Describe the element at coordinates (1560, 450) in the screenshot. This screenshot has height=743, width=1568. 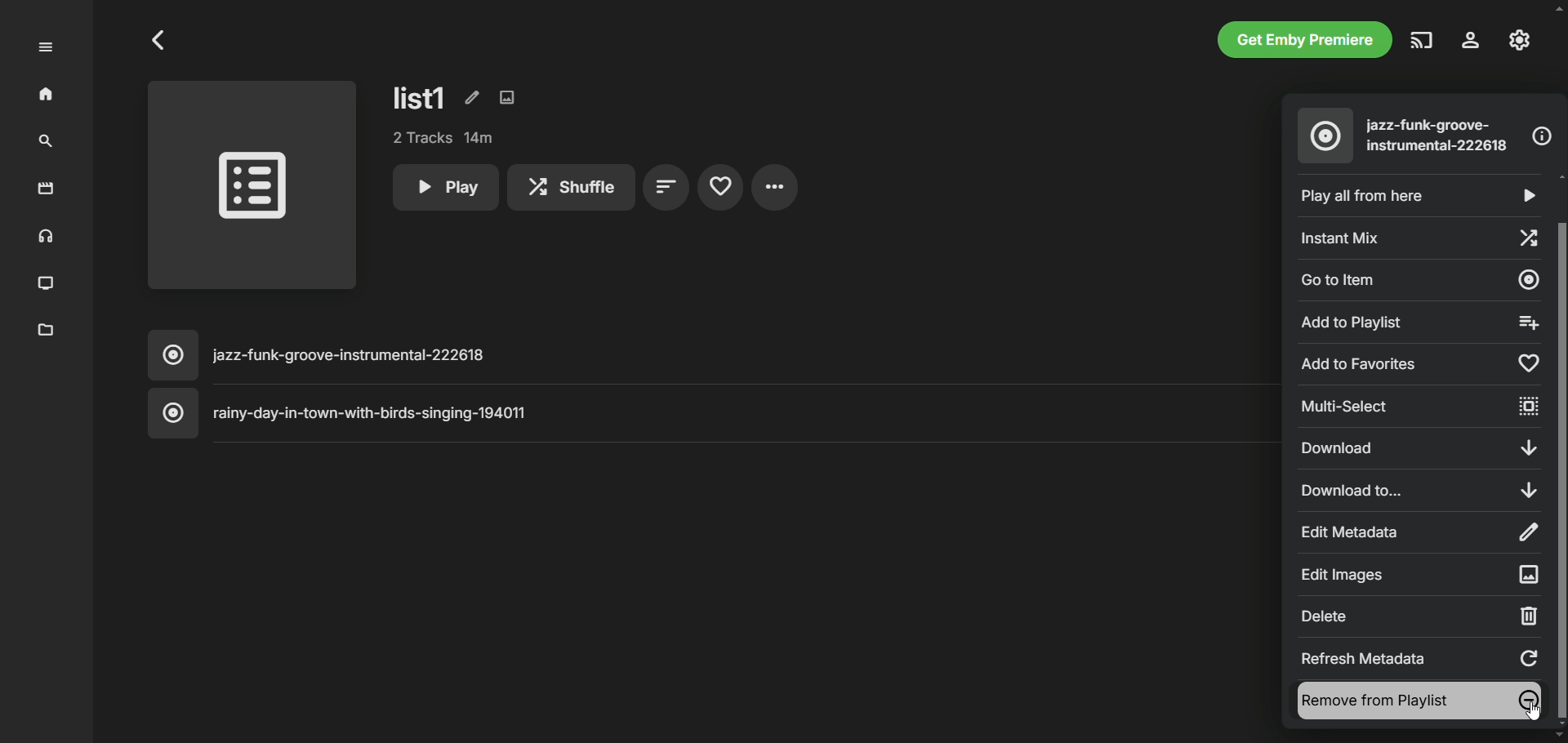
I see `Vertical slide bar` at that location.